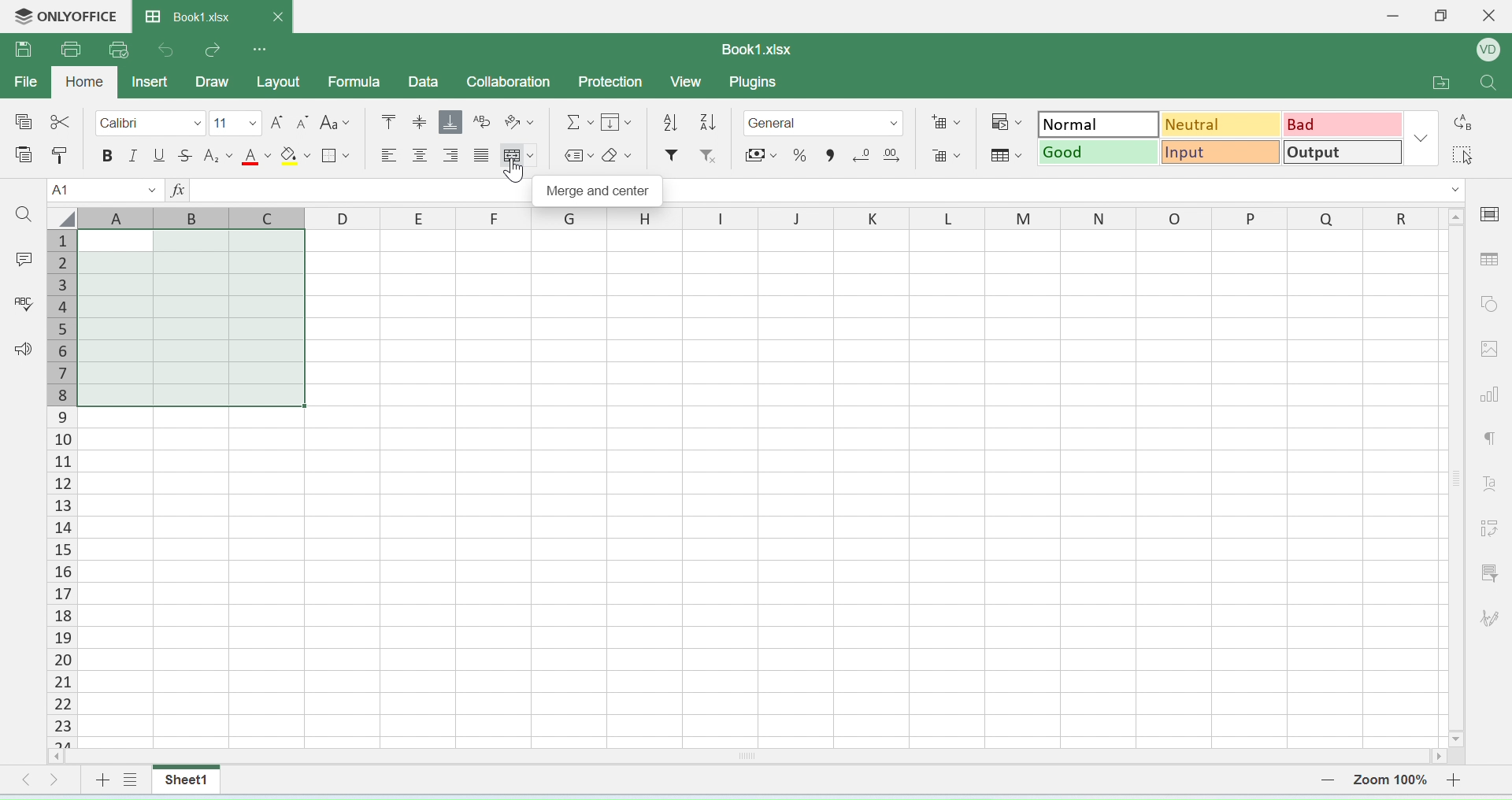 The width and height of the screenshot is (1512, 800). I want to click on filter, so click(672, 155).